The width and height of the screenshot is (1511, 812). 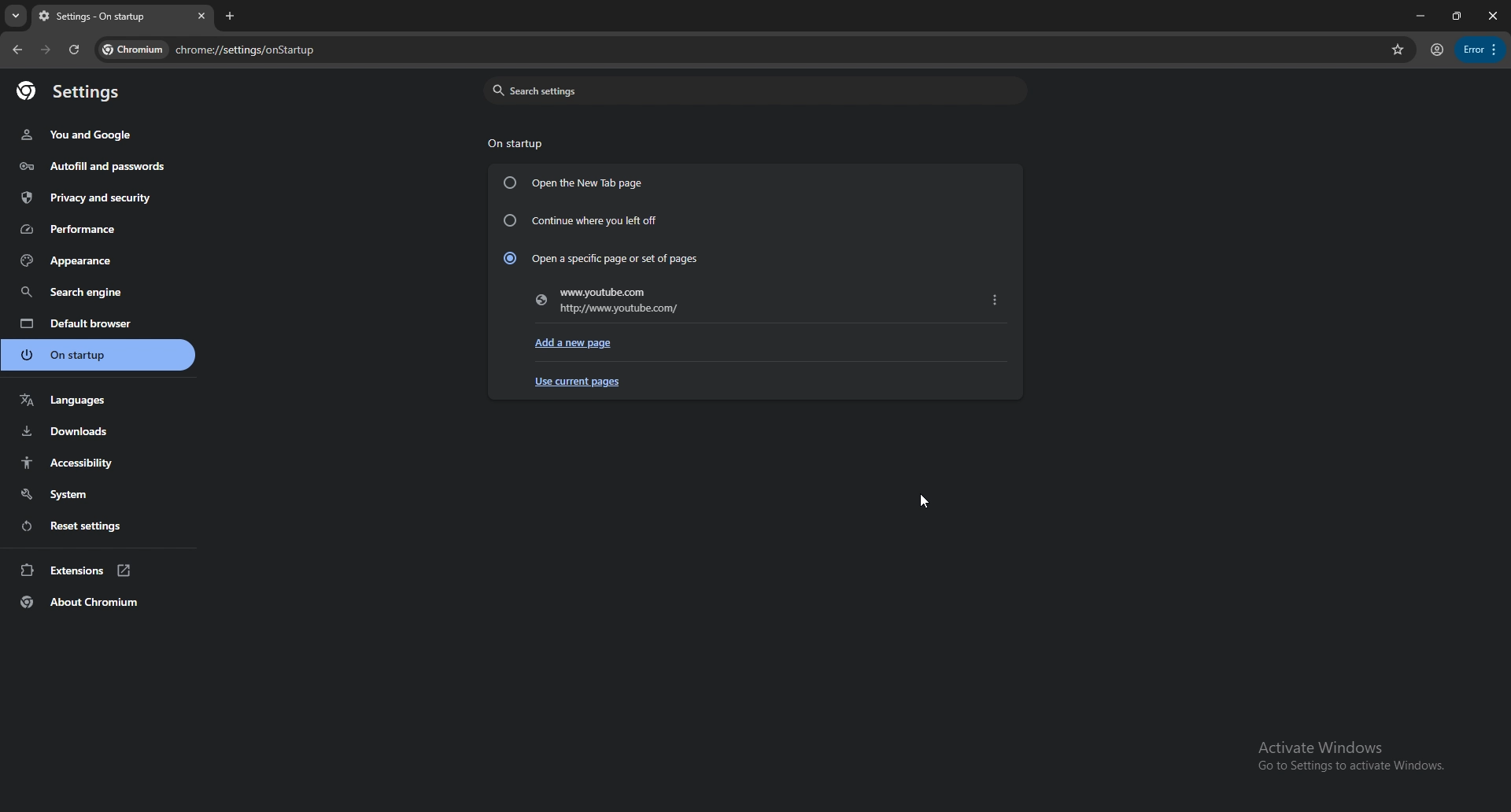 What do you see at coordinates (582, 219) in the screenshot?
I see `continue where you left off` at bounding box center [582, 219].